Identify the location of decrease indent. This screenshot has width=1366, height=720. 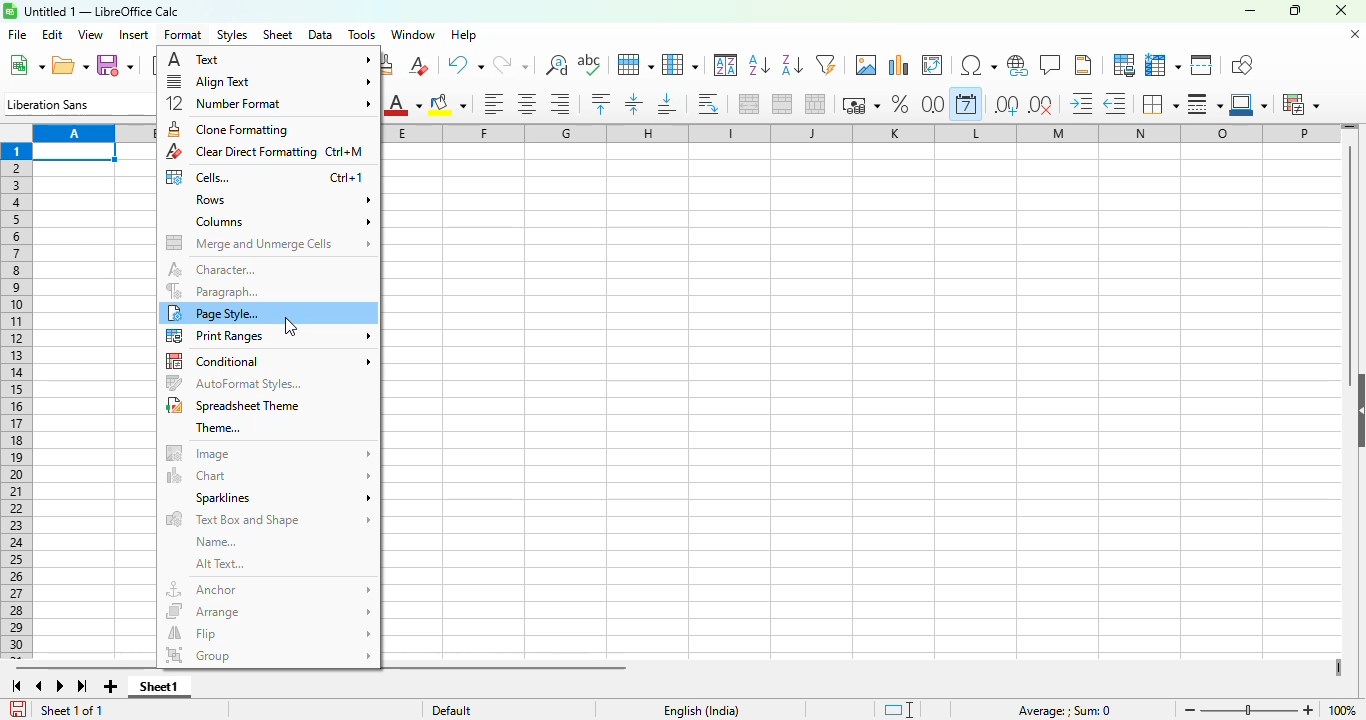
(1115, 104).